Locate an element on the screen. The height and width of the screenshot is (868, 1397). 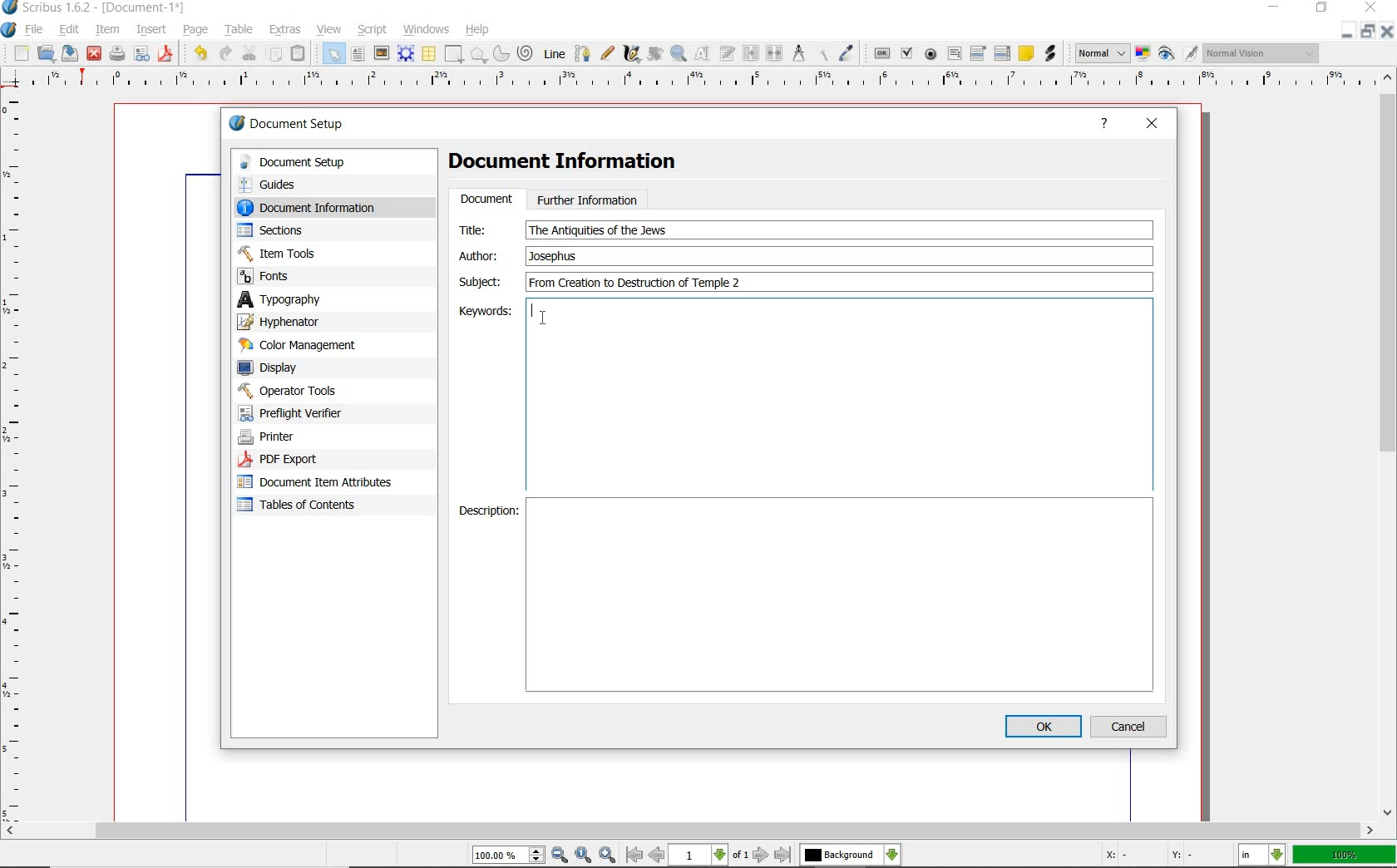
eye dropper is located at coordinates (847, 52).